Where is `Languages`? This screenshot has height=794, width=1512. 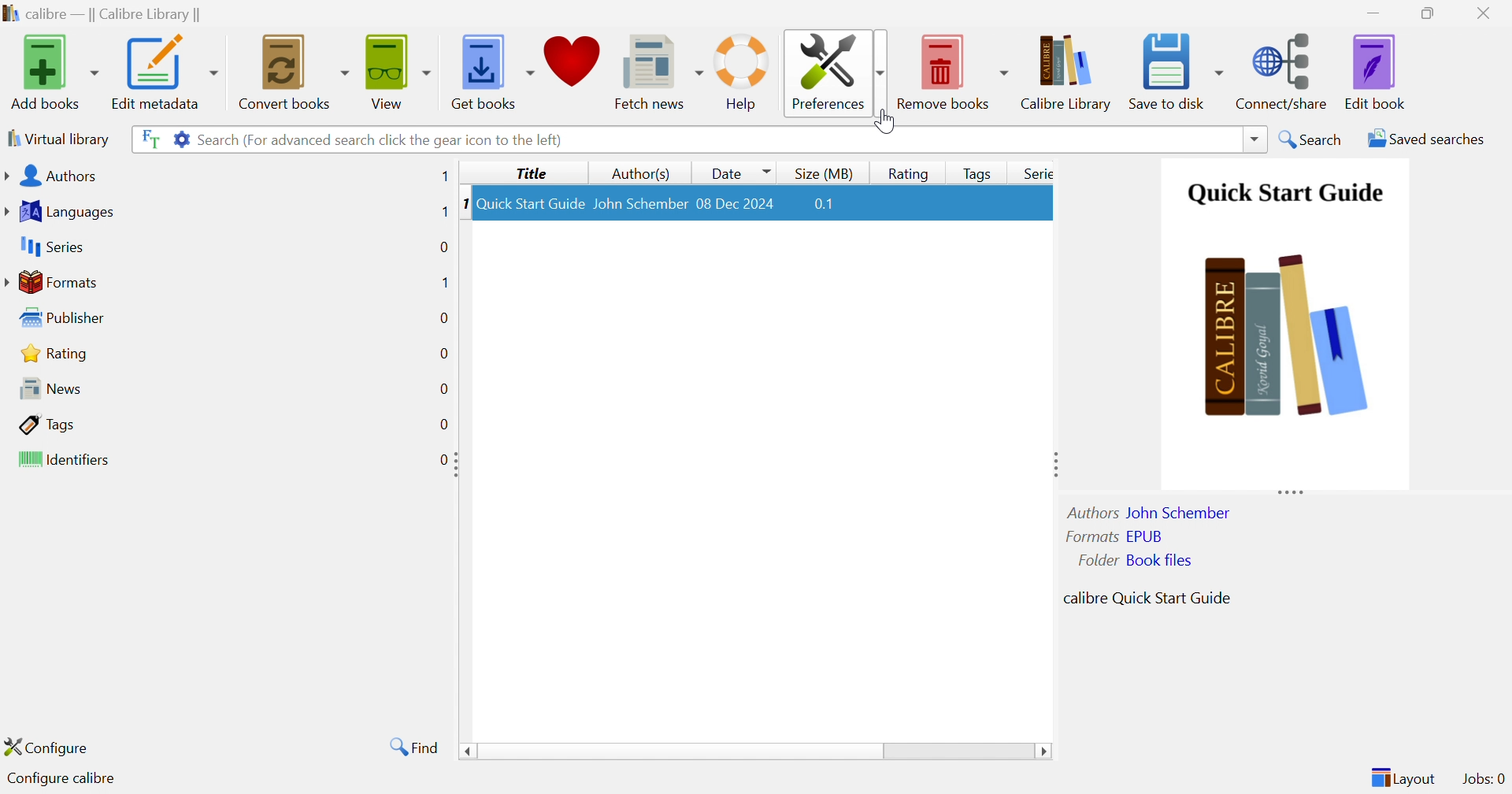
Languages is located at coordinates (62, 212).